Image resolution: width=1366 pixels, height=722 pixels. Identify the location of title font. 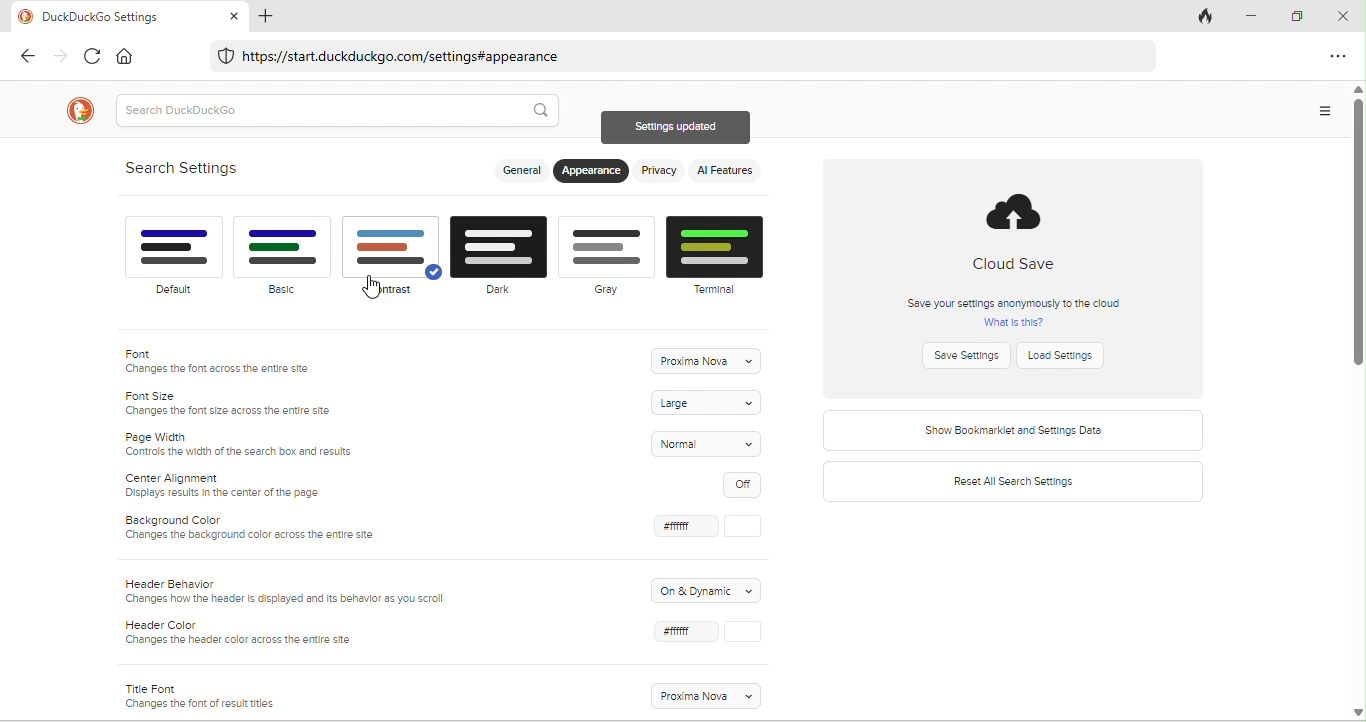
(202, 694).